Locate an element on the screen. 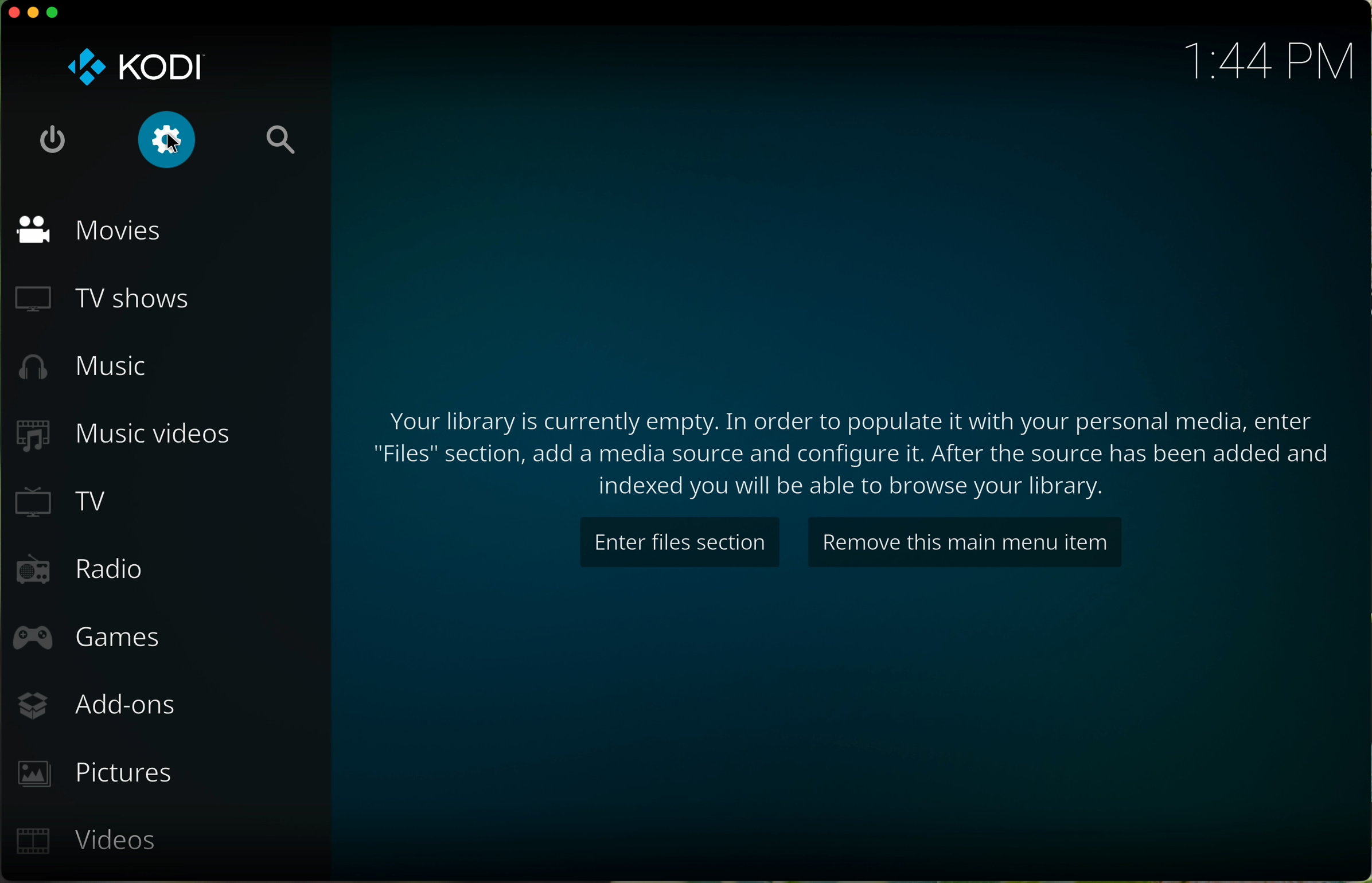 The height and width of the screenshot is (883, 1372). enter files section button is located at coordinates (678, 542).